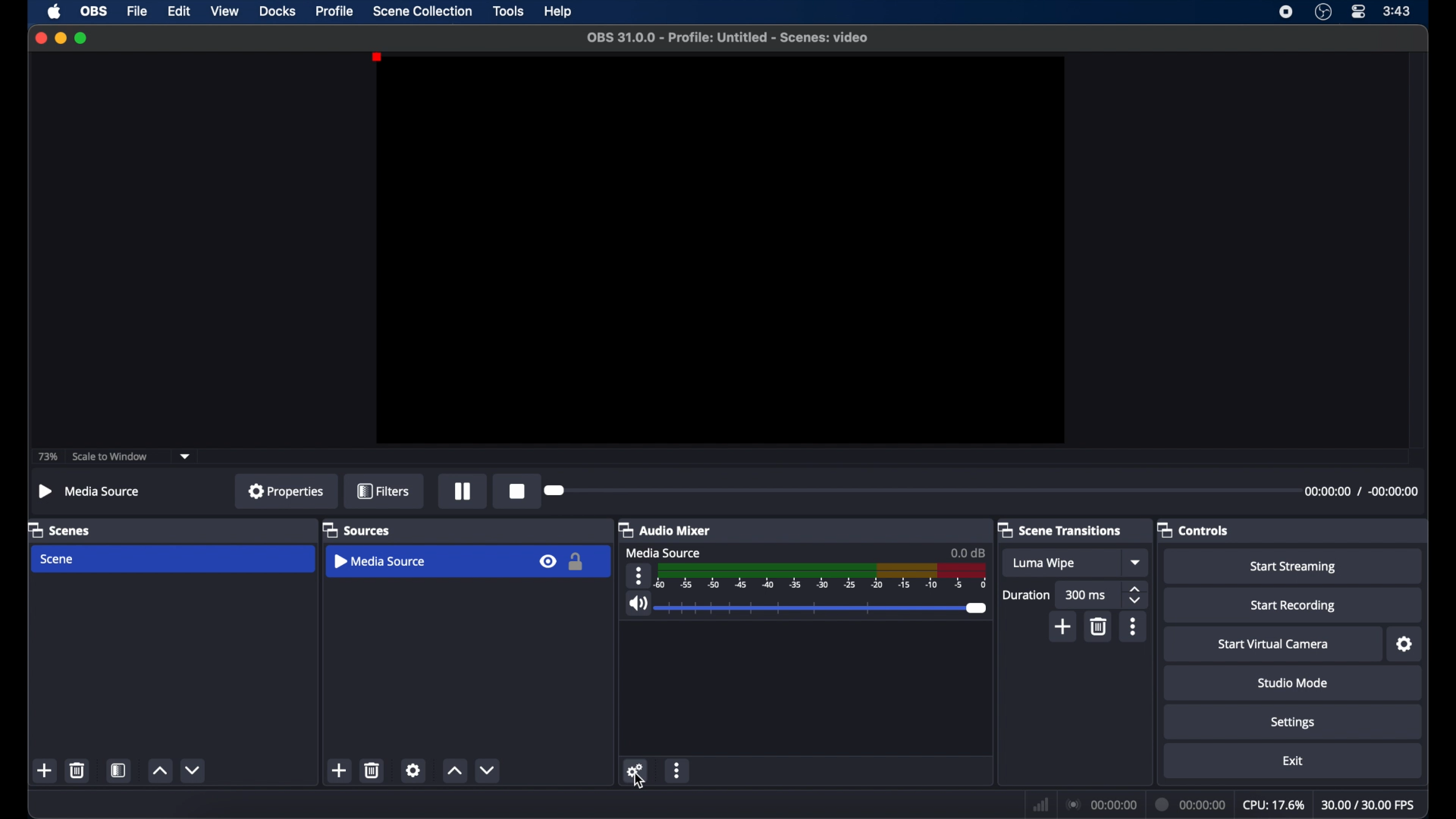  I want to click on cursor, so click(640, 781).